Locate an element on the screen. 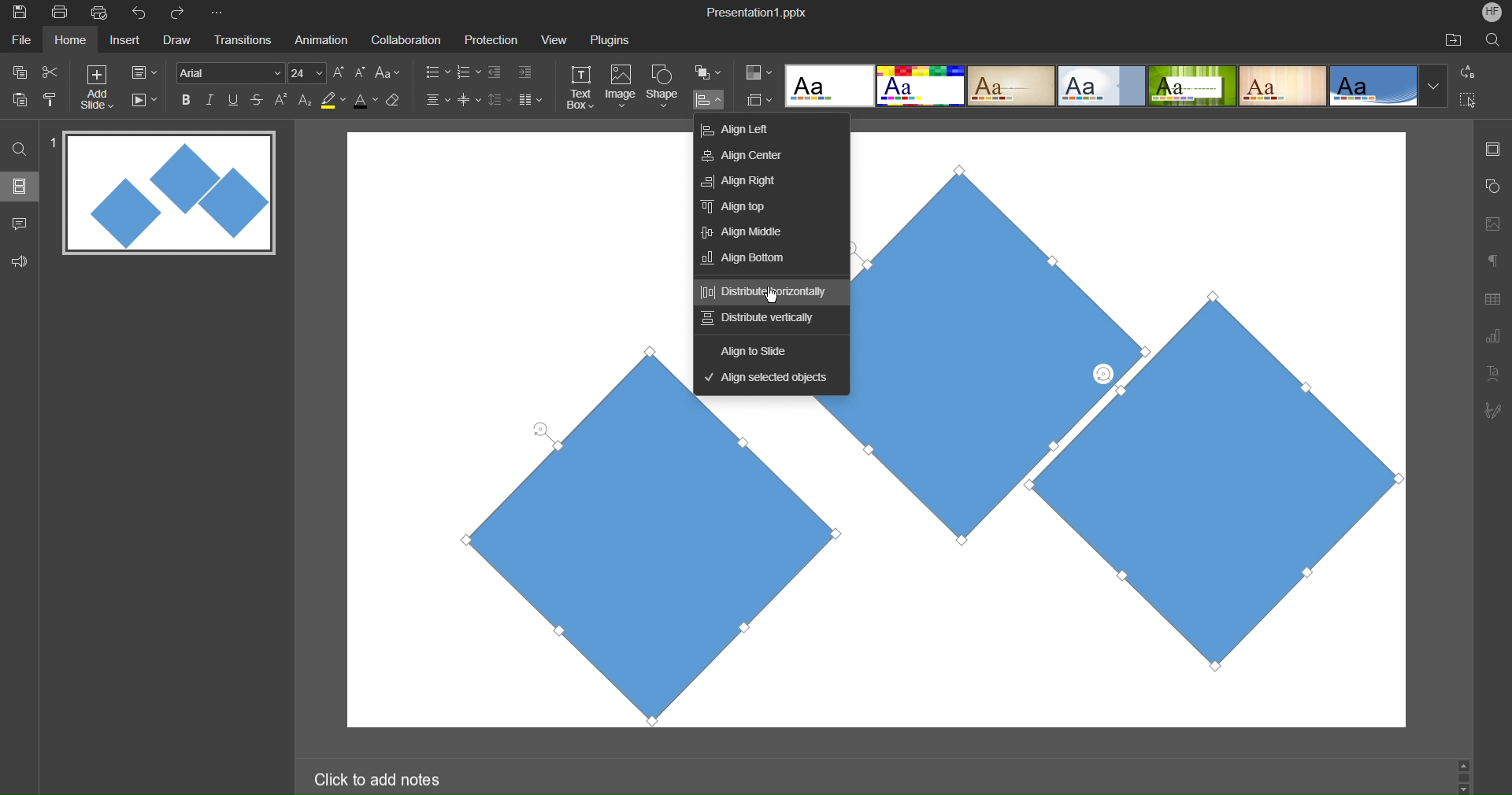 Image resolution: width=1512 pixels, height=795 pixels. Protection is located at coordinates (484, 39).